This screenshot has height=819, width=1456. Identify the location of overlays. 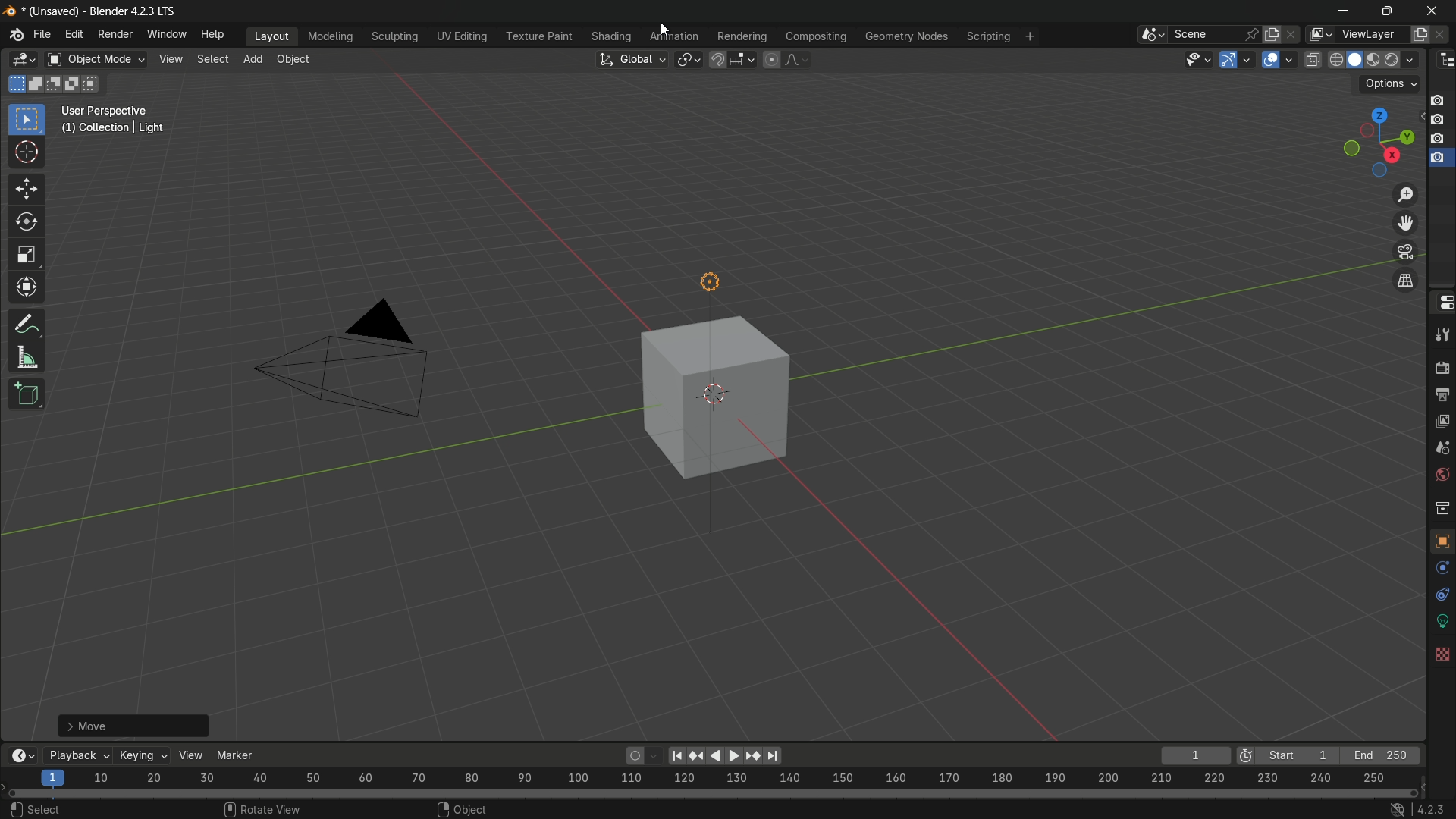
(1291, 60).